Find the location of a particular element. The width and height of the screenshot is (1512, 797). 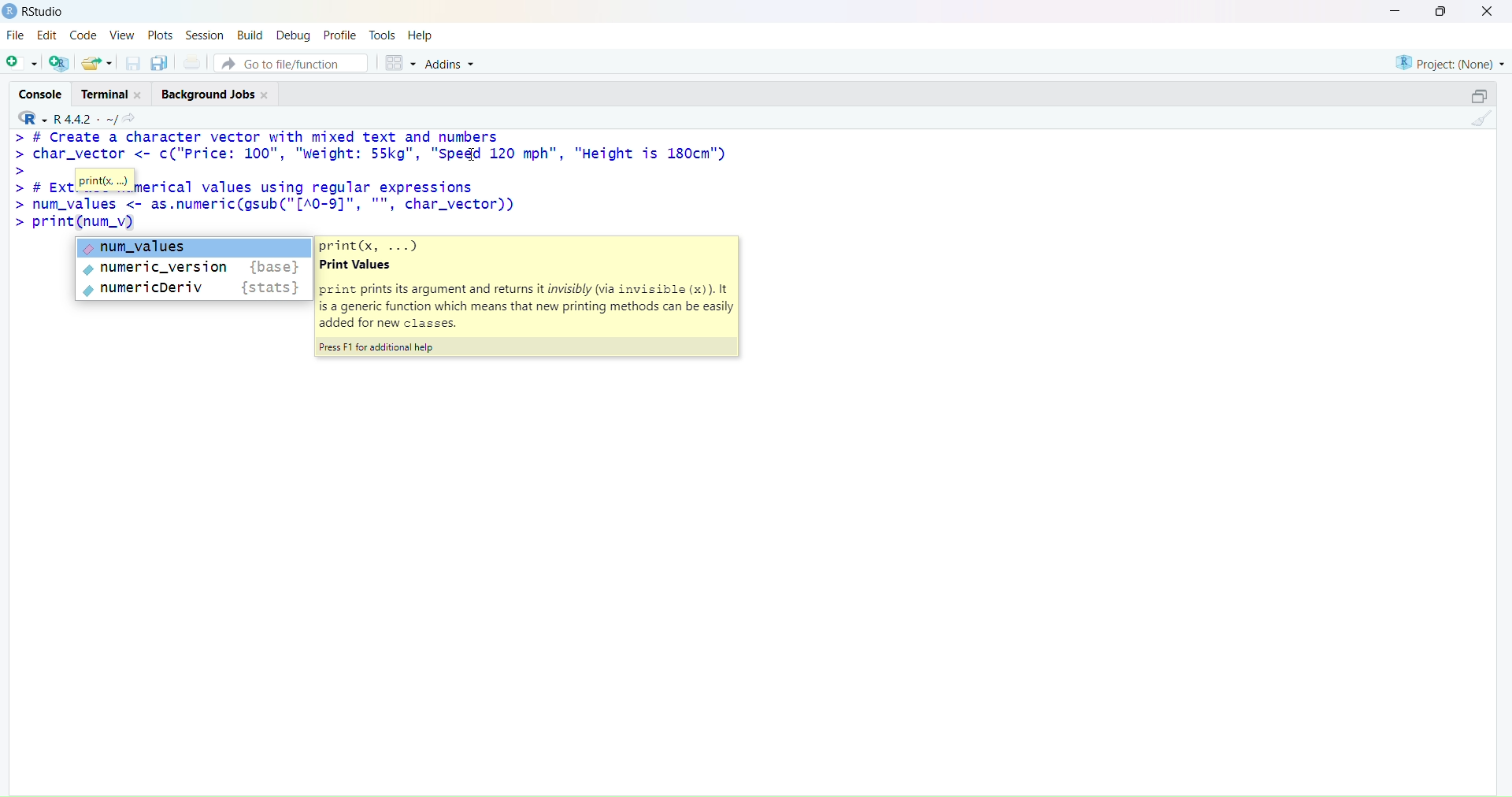

close is located at coordinates (139, 95).